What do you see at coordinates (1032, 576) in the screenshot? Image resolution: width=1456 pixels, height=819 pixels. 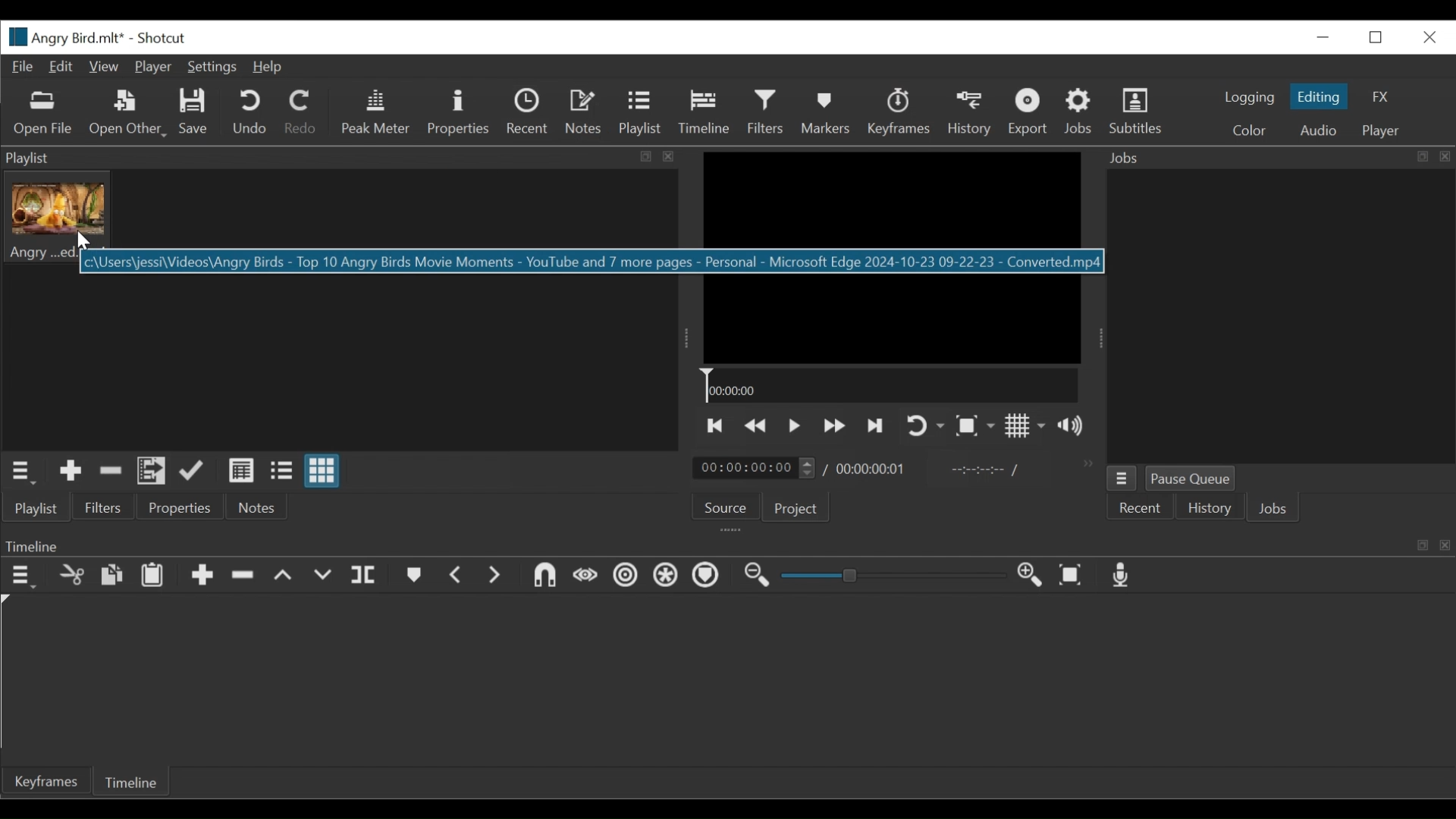 I see `Zoom in timeline` at bounding box center [1032, 576].